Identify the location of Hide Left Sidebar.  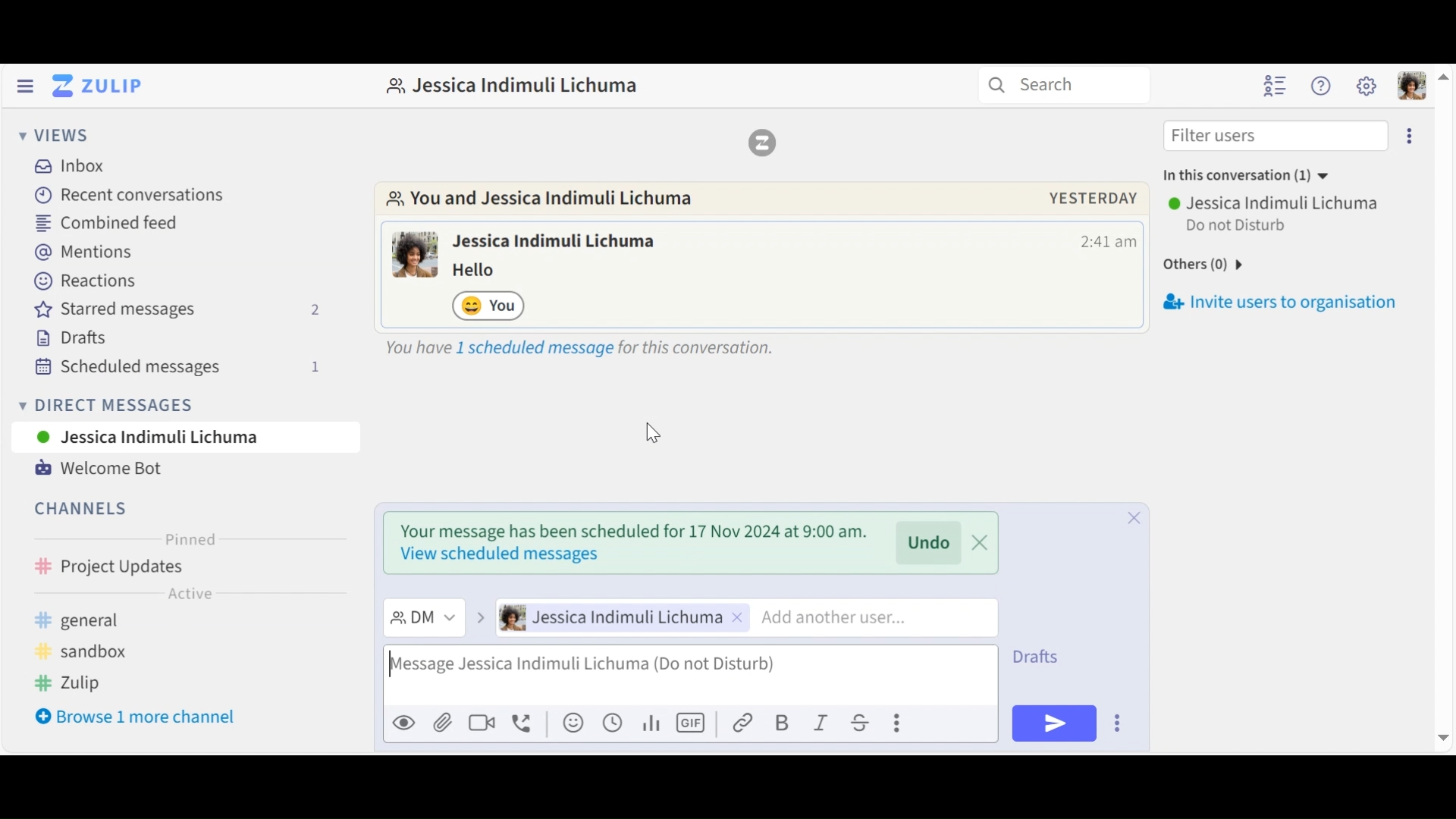
(24, 86).